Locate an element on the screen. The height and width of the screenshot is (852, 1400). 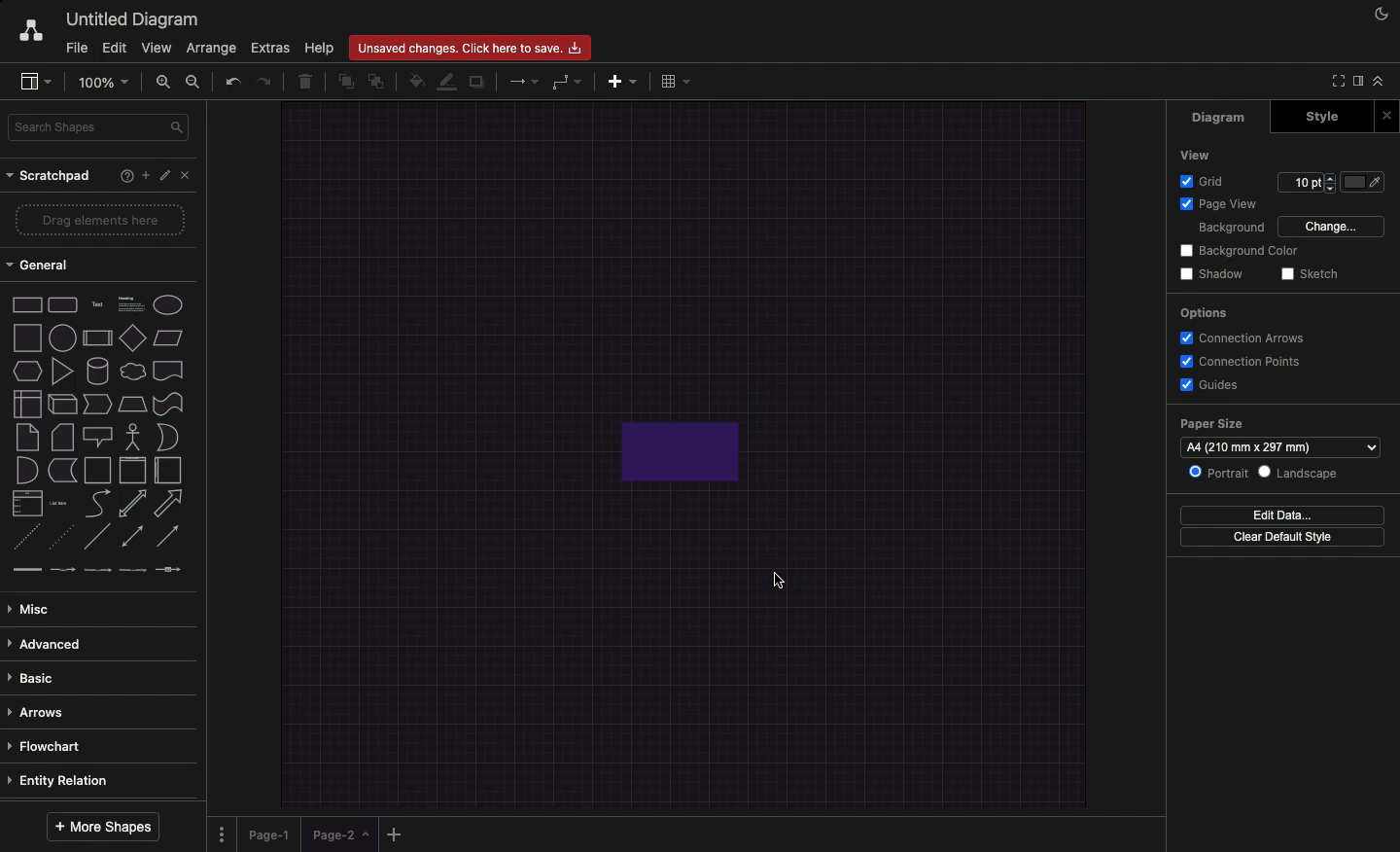
note is located at coordinates (26, 437).